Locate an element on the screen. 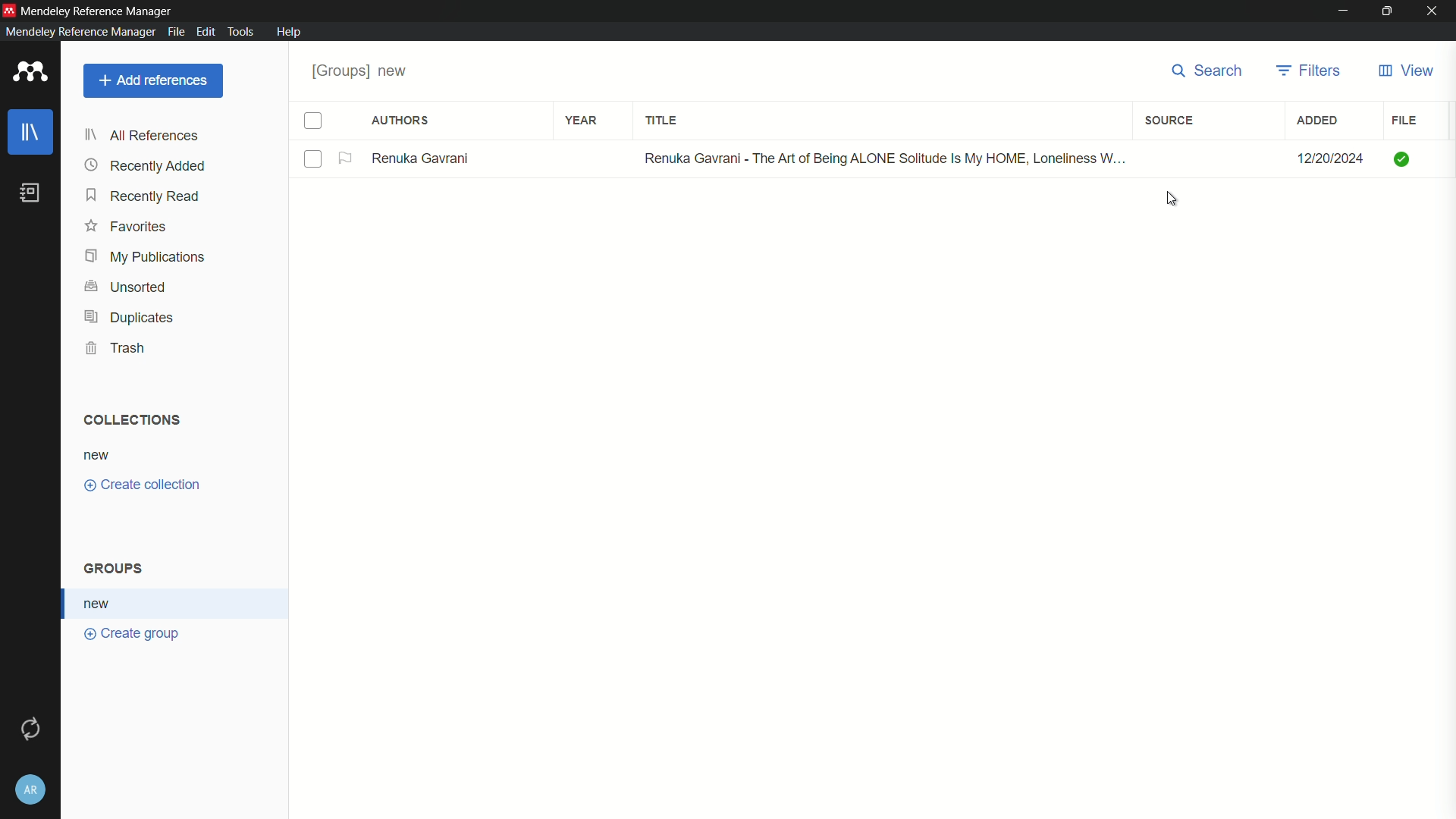 The image size is (1456, 819). favorites is located at coordinates (127, 228).